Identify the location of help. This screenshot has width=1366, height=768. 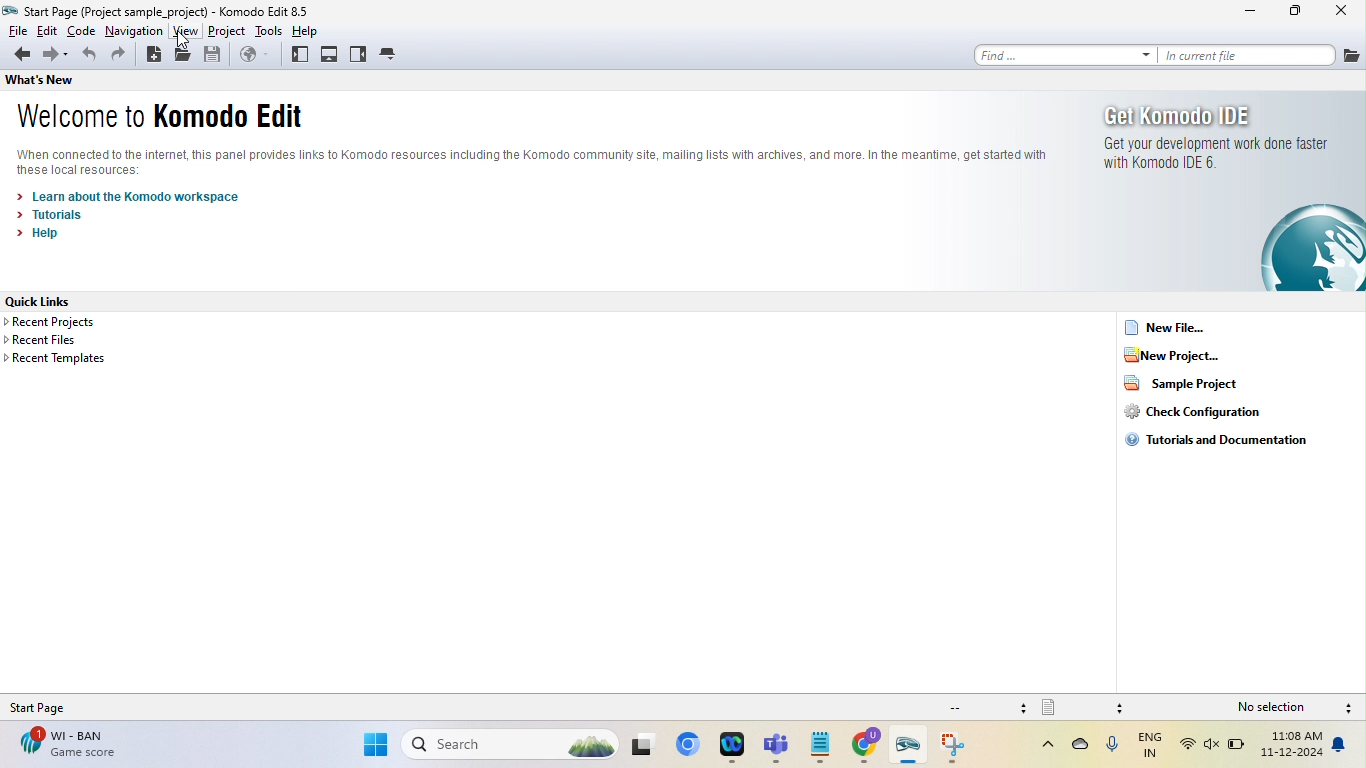
(44, 234).